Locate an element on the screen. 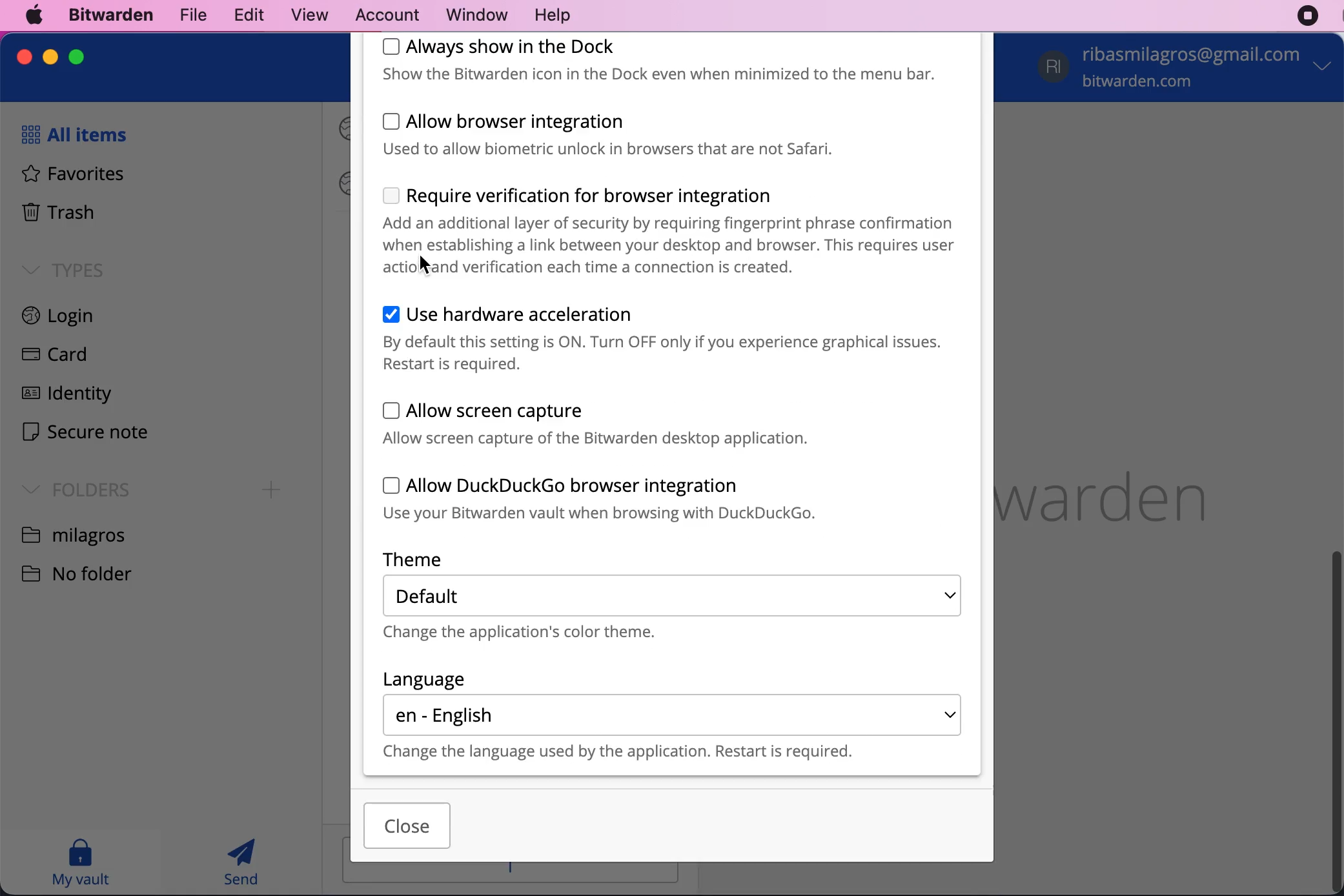  identity is located at coordinates (63, 396).